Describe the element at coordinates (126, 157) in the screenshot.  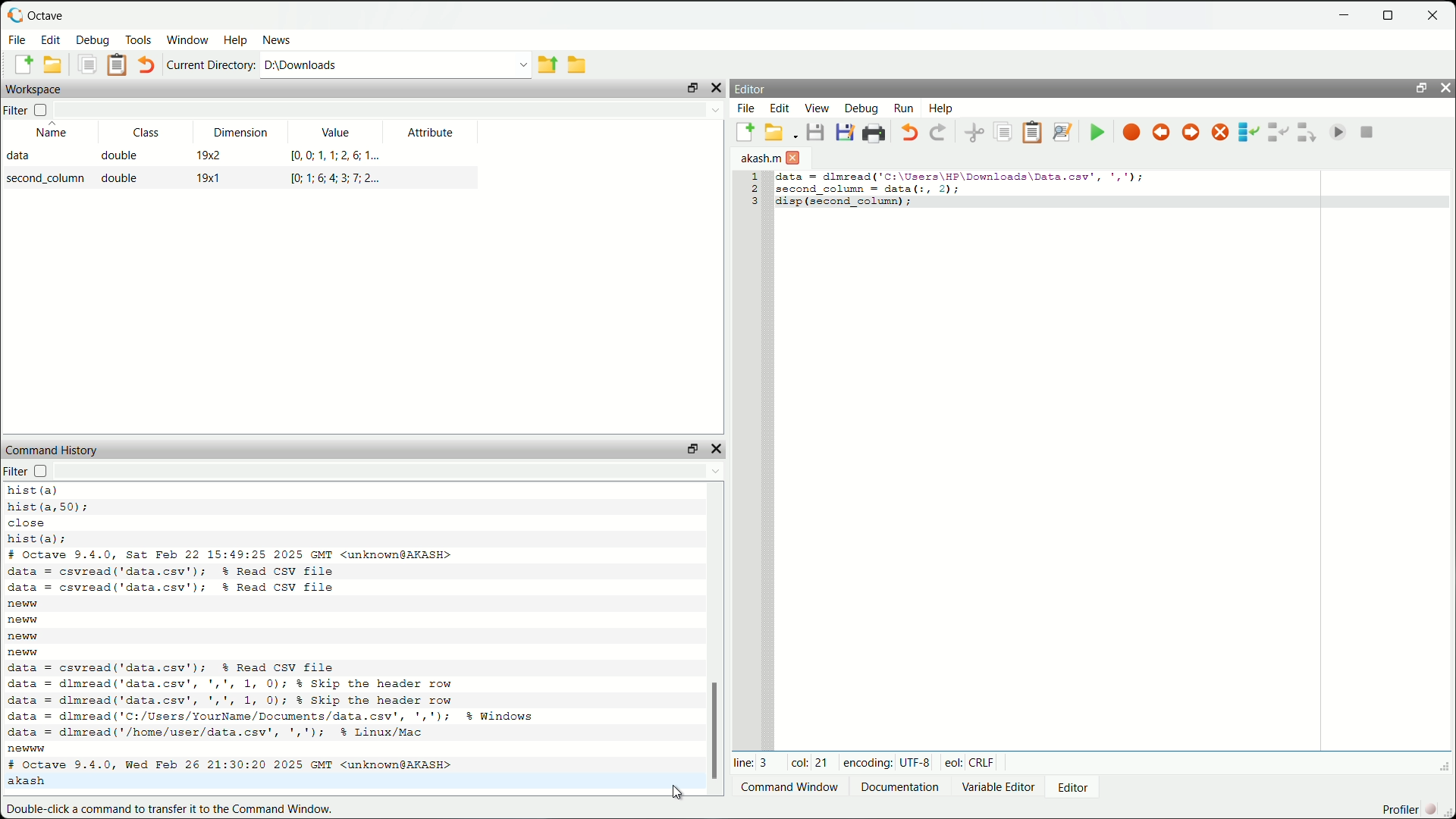
I see `double` at that location.